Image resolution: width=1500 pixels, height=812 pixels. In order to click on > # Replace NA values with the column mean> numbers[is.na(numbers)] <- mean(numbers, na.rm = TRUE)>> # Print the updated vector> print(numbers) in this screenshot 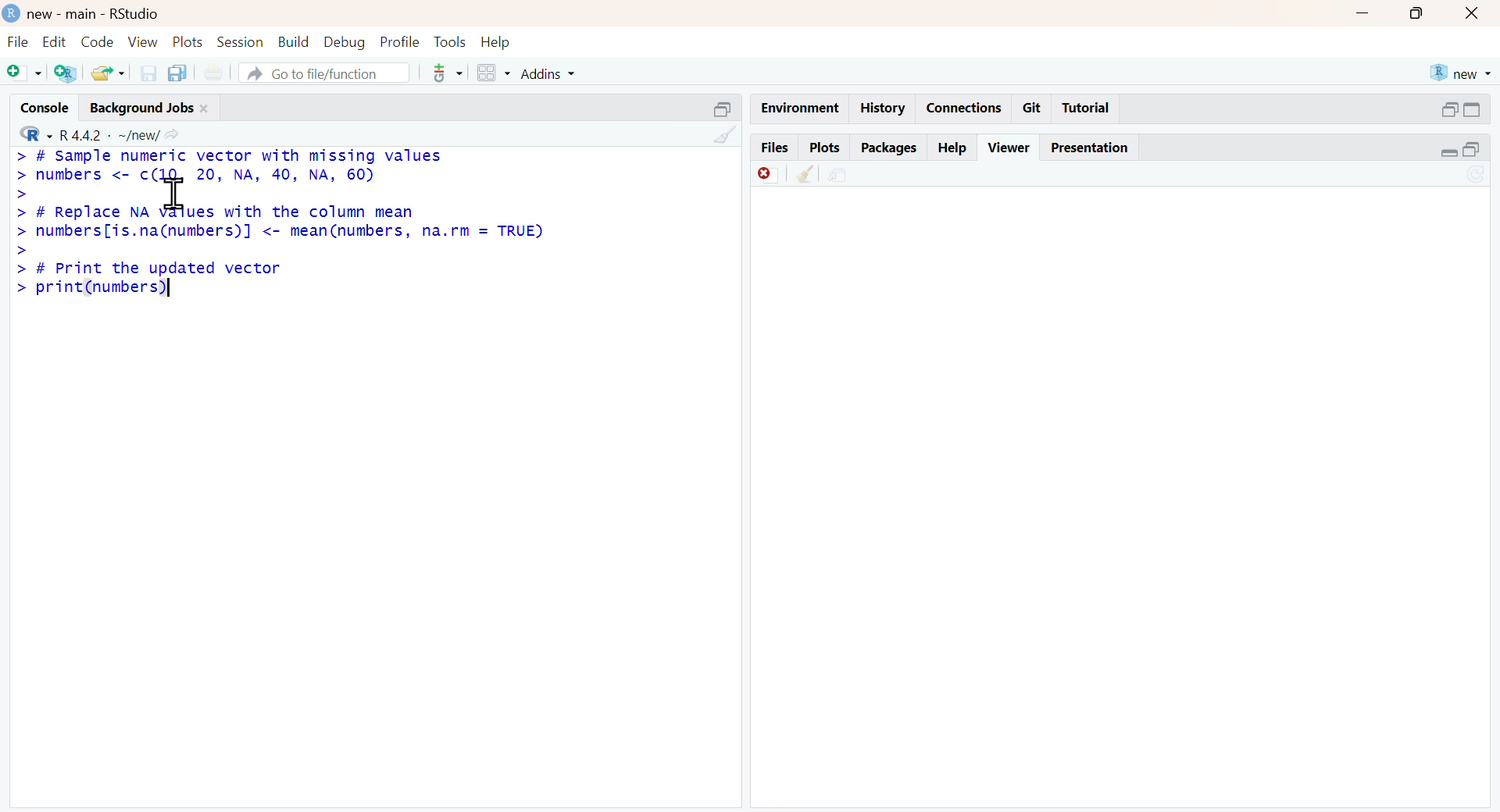, I will do `click(280, 250)`.